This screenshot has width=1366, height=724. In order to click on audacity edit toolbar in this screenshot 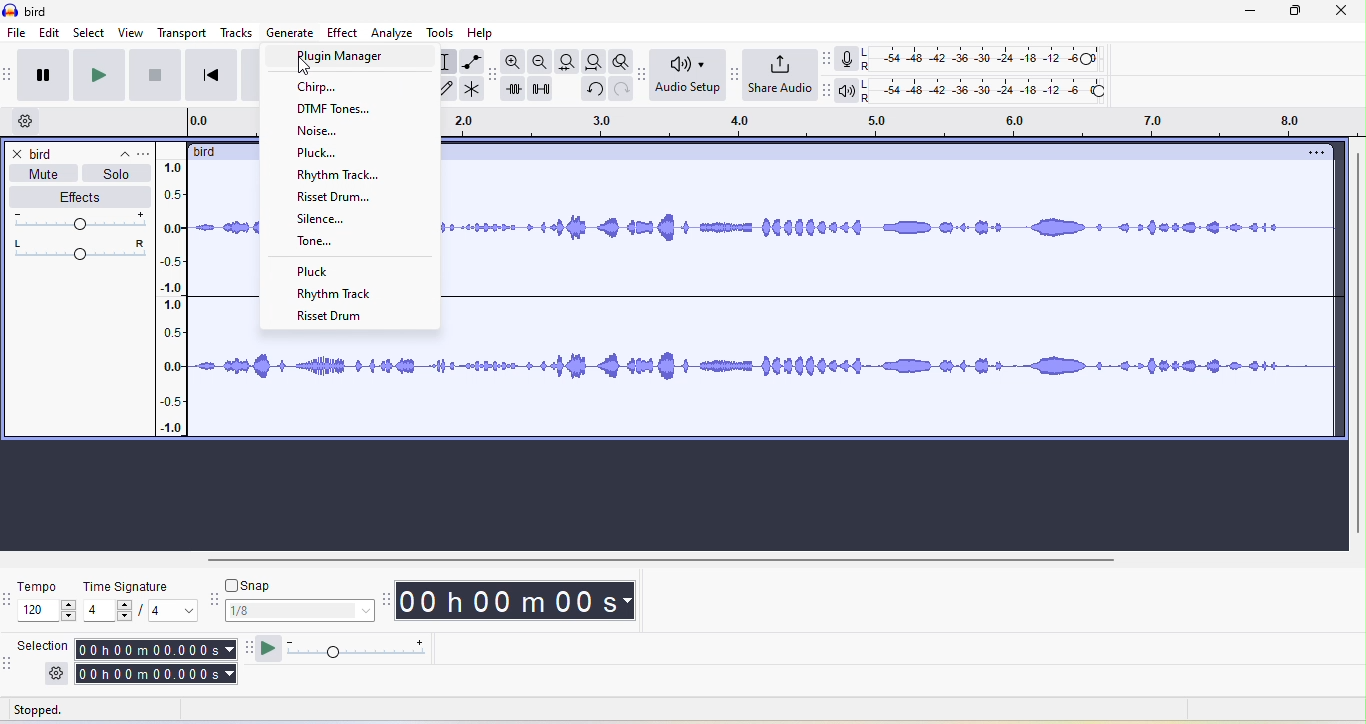, I will do `click(497, 79)`.